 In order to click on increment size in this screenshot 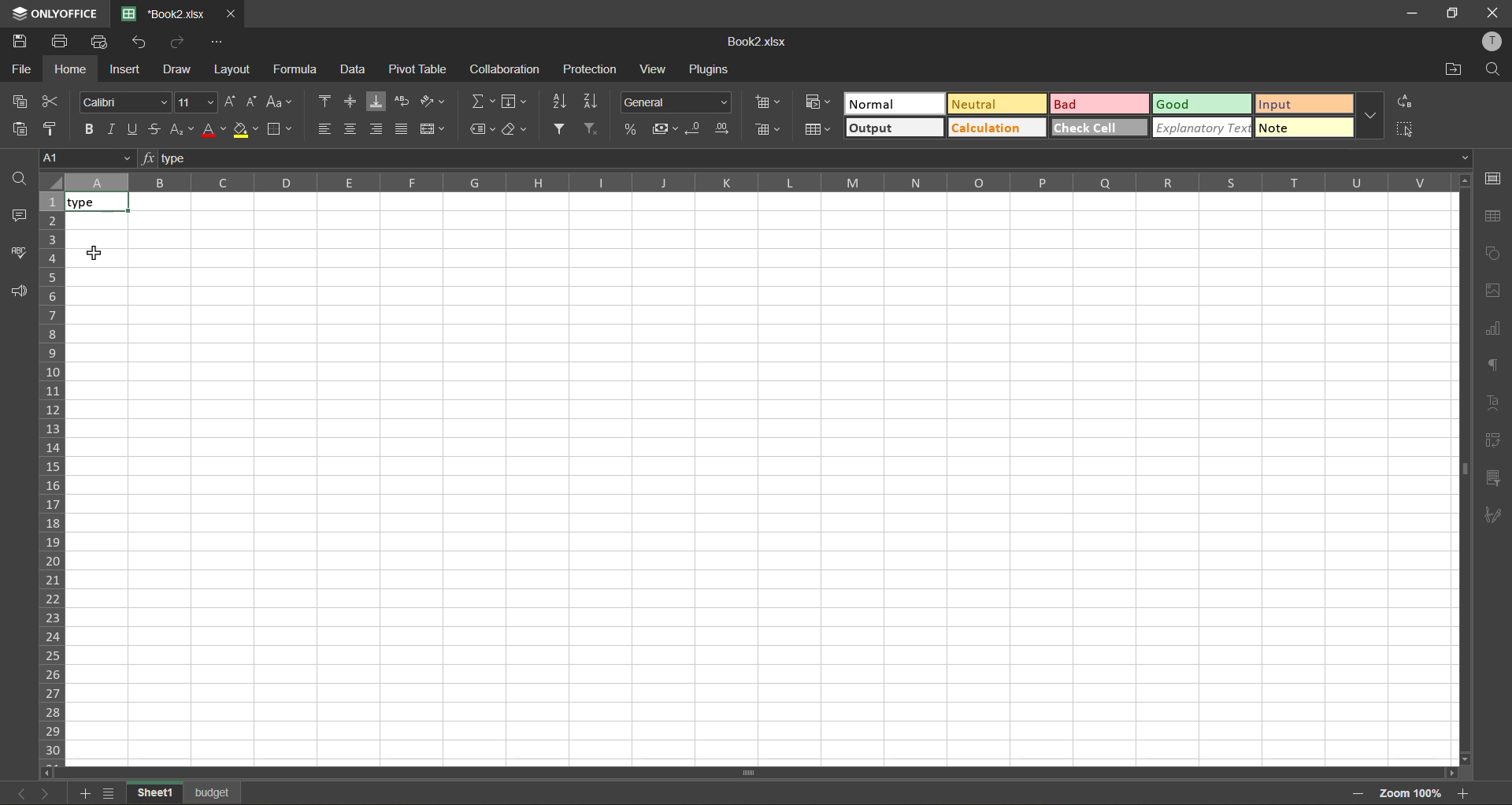, I will do `click(228, 102)`.